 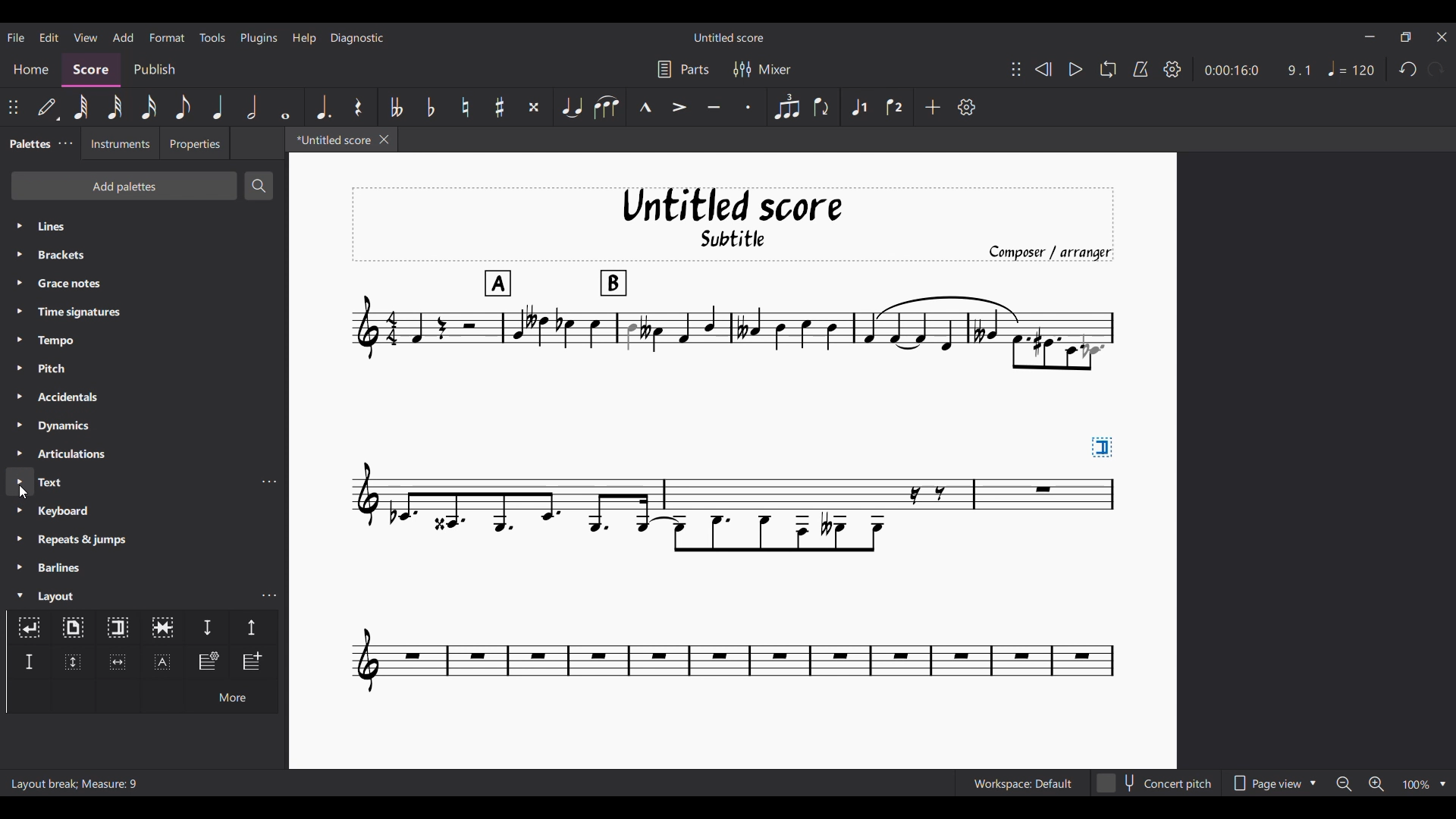 What do you see at coordinates (145, 312) in the screenshot?
I see `Time signatures` at bounding box center [145, 312].